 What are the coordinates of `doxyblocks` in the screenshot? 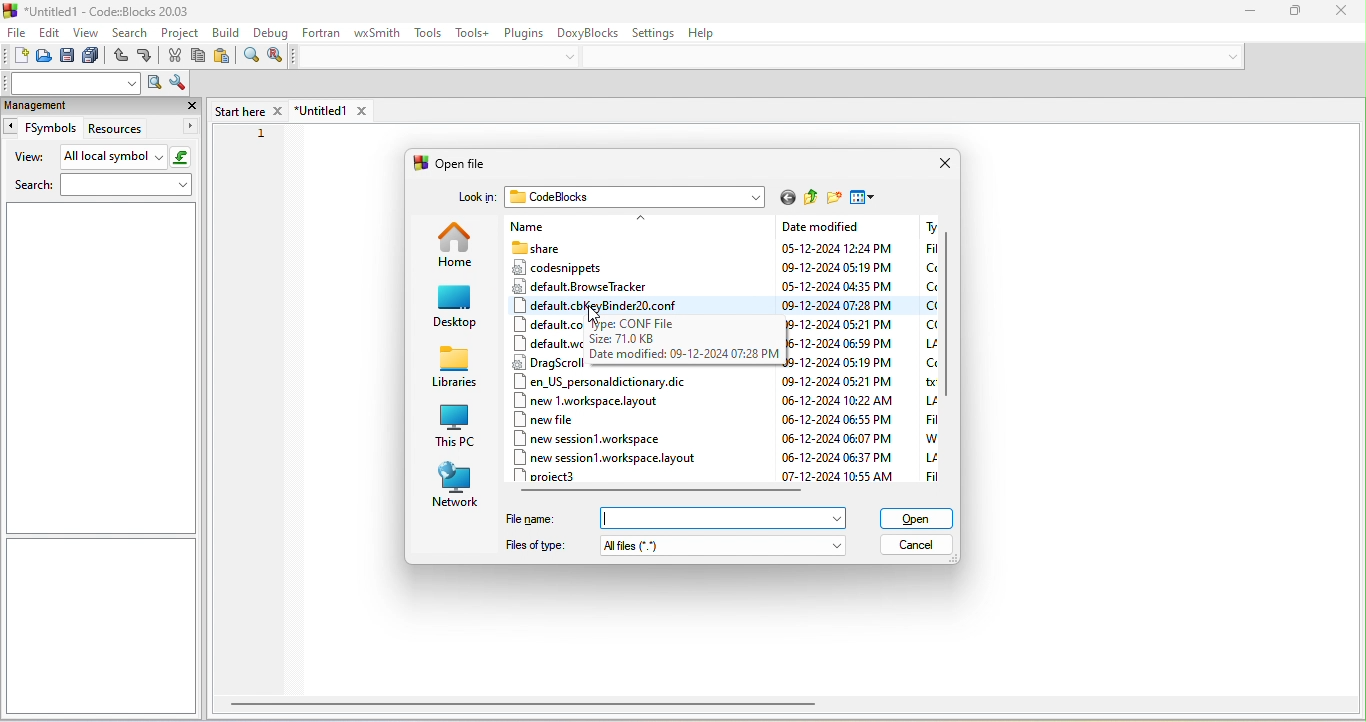 It's located at (590, 36).